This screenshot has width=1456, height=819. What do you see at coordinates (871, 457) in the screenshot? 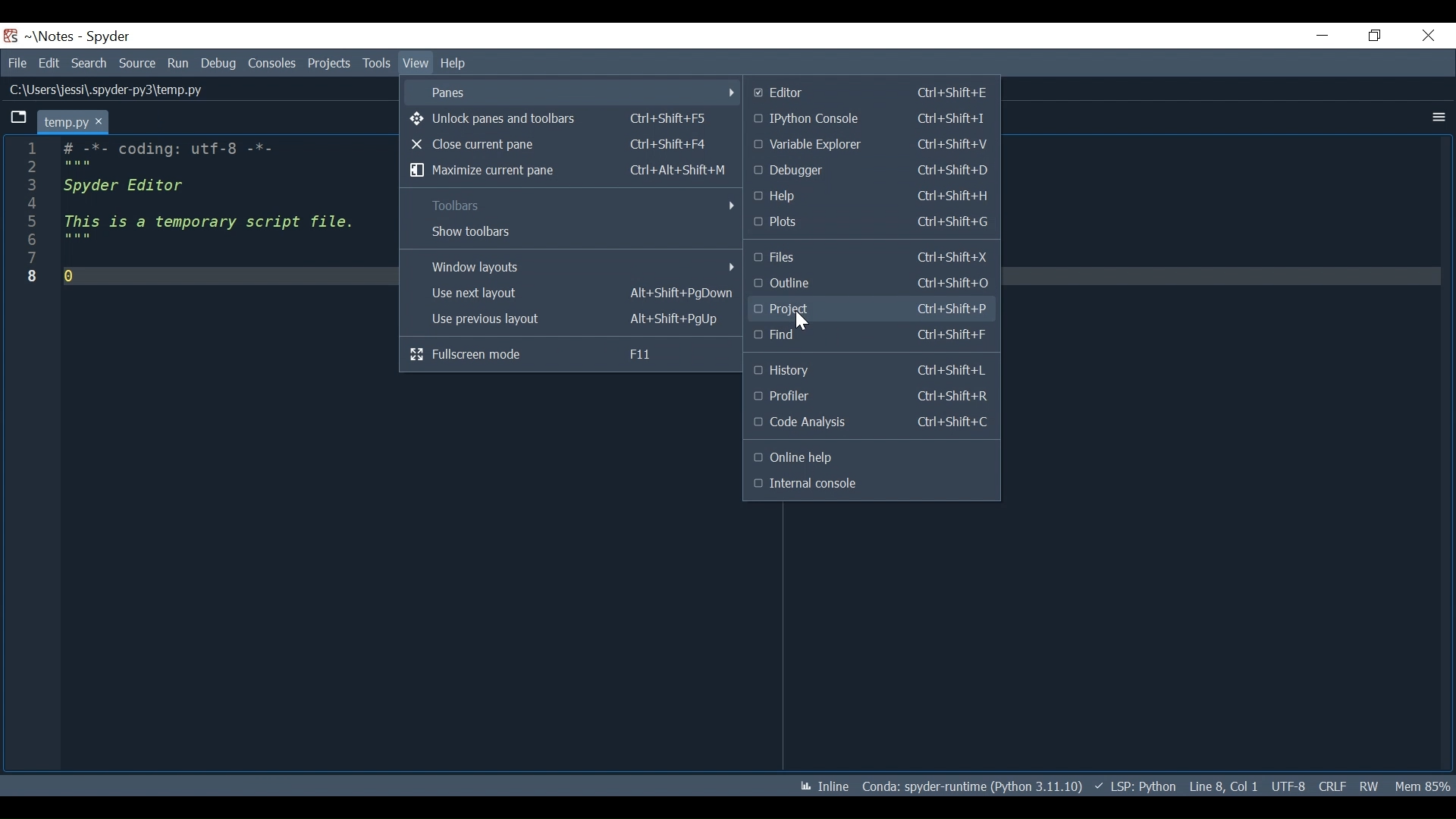
I see `Online help` at bounding box center [871, 457].